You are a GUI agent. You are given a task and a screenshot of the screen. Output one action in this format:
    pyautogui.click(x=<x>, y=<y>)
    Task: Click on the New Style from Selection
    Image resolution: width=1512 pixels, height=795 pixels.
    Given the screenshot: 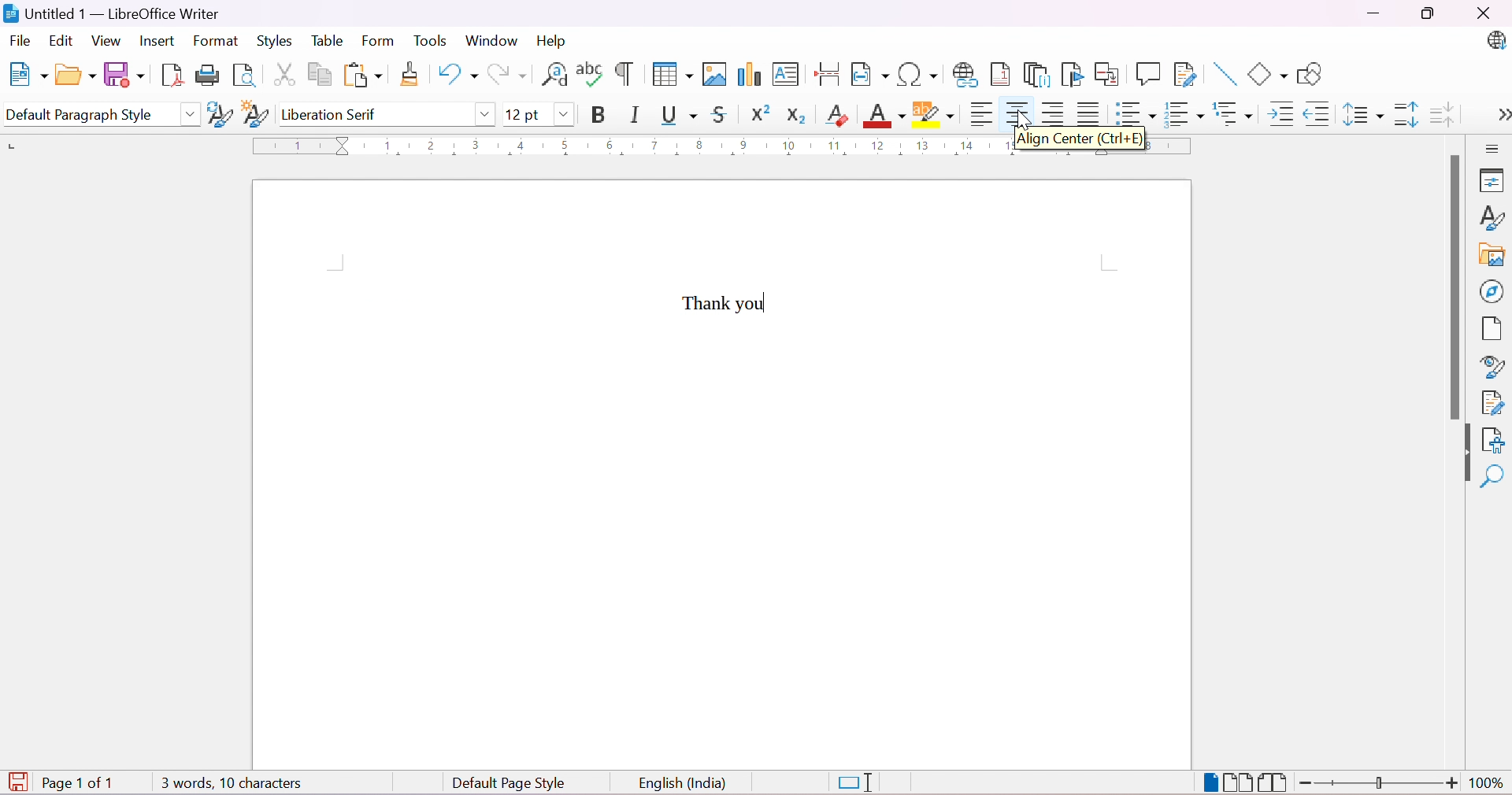 What is the action you would take?
    pyautogui.click(x=254, y=113)
    